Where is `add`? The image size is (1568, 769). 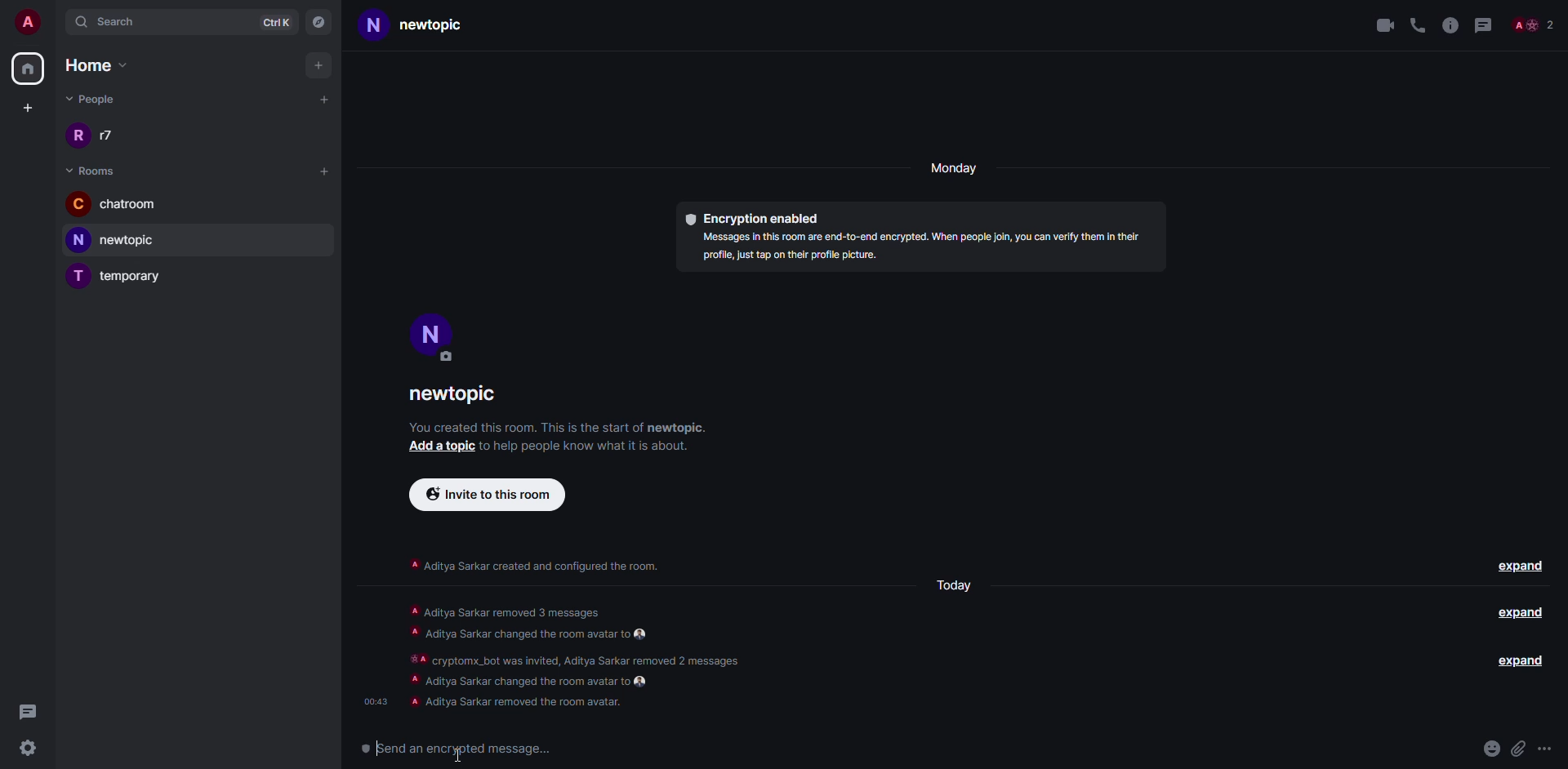
add is located at coordinates (324, 170).